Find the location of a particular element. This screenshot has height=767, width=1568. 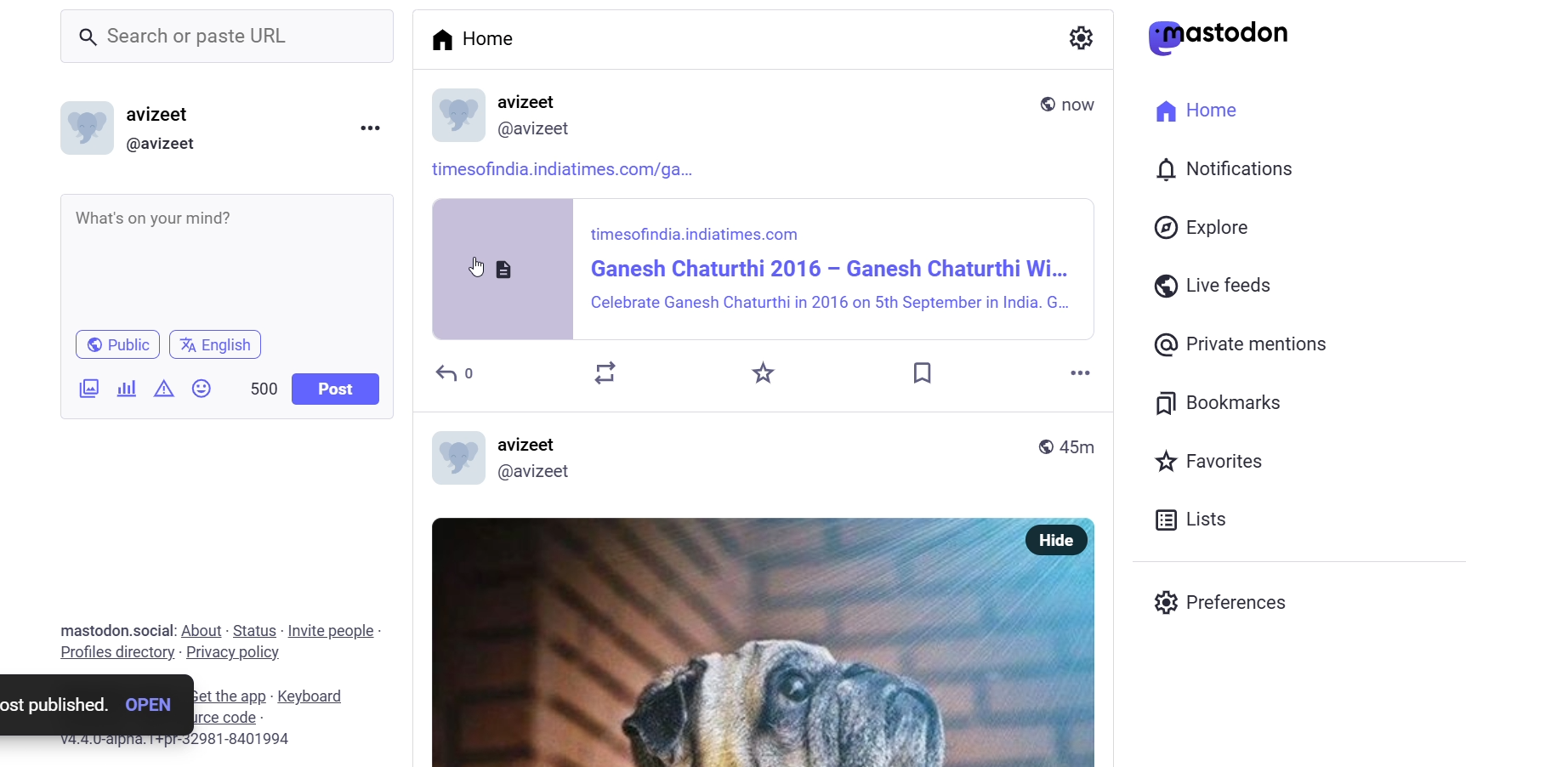

emoji is located at coordinates (201, 389).